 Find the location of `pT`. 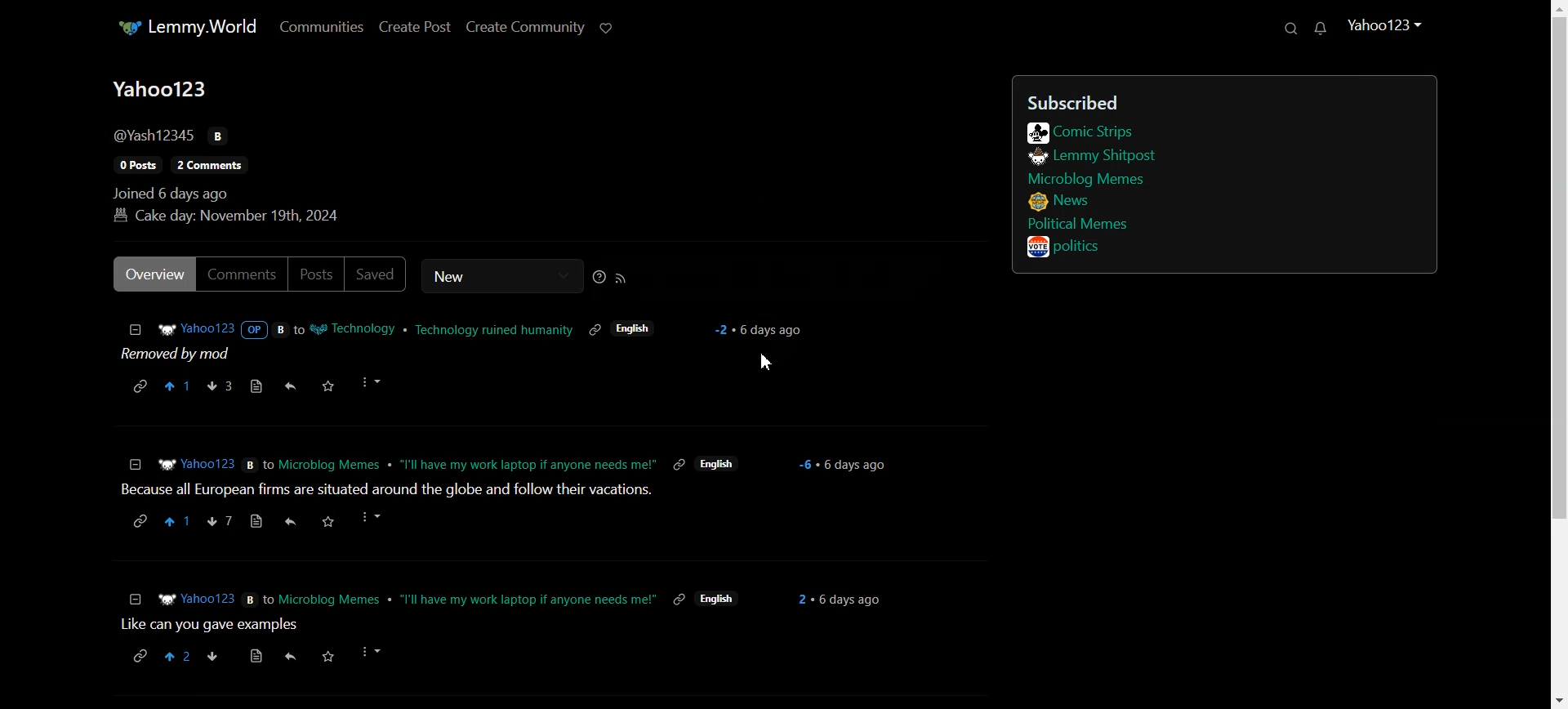

pT is located at coordinates (417, 1240).